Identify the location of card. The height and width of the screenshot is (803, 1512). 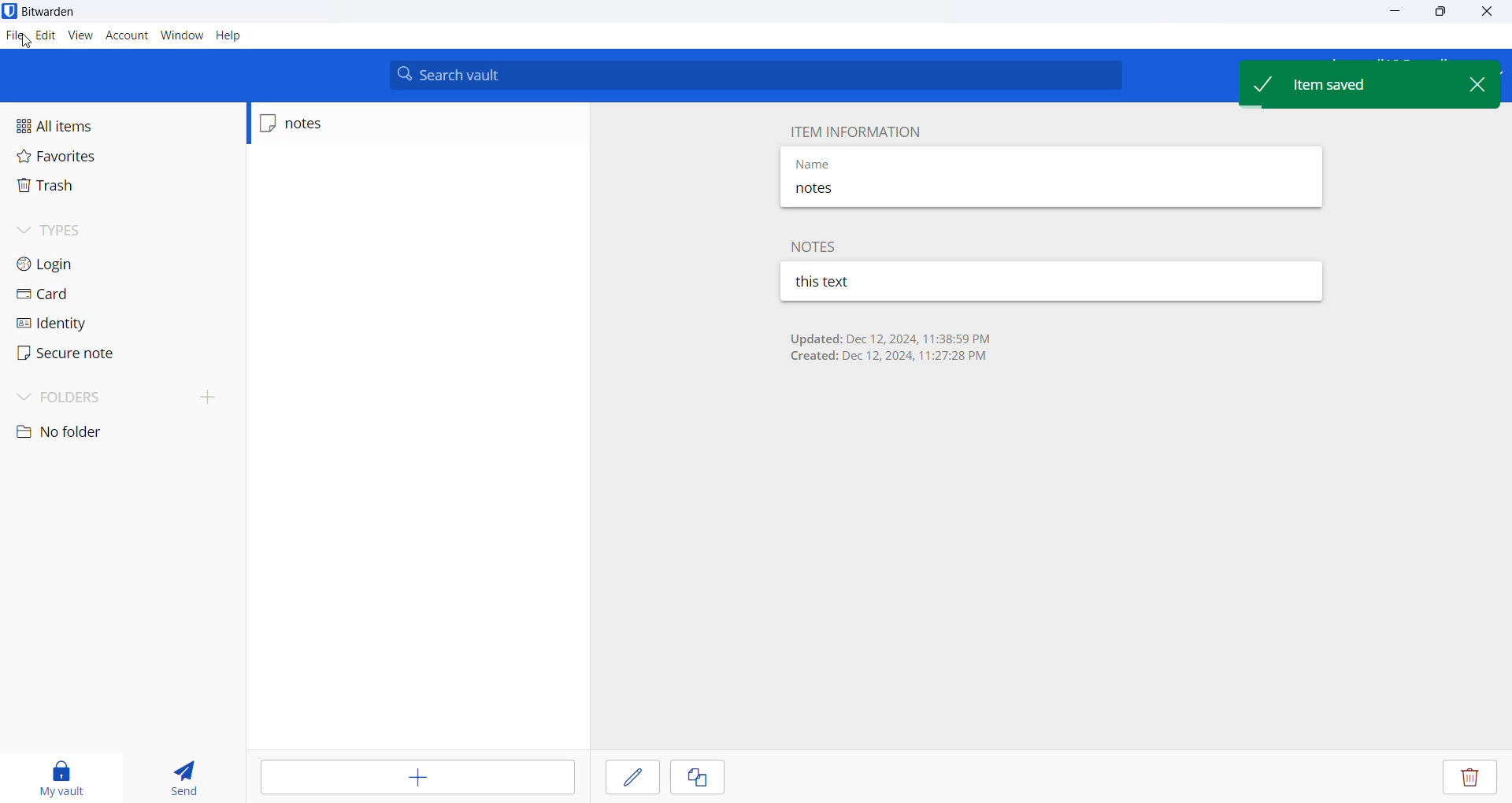
(69, 298).